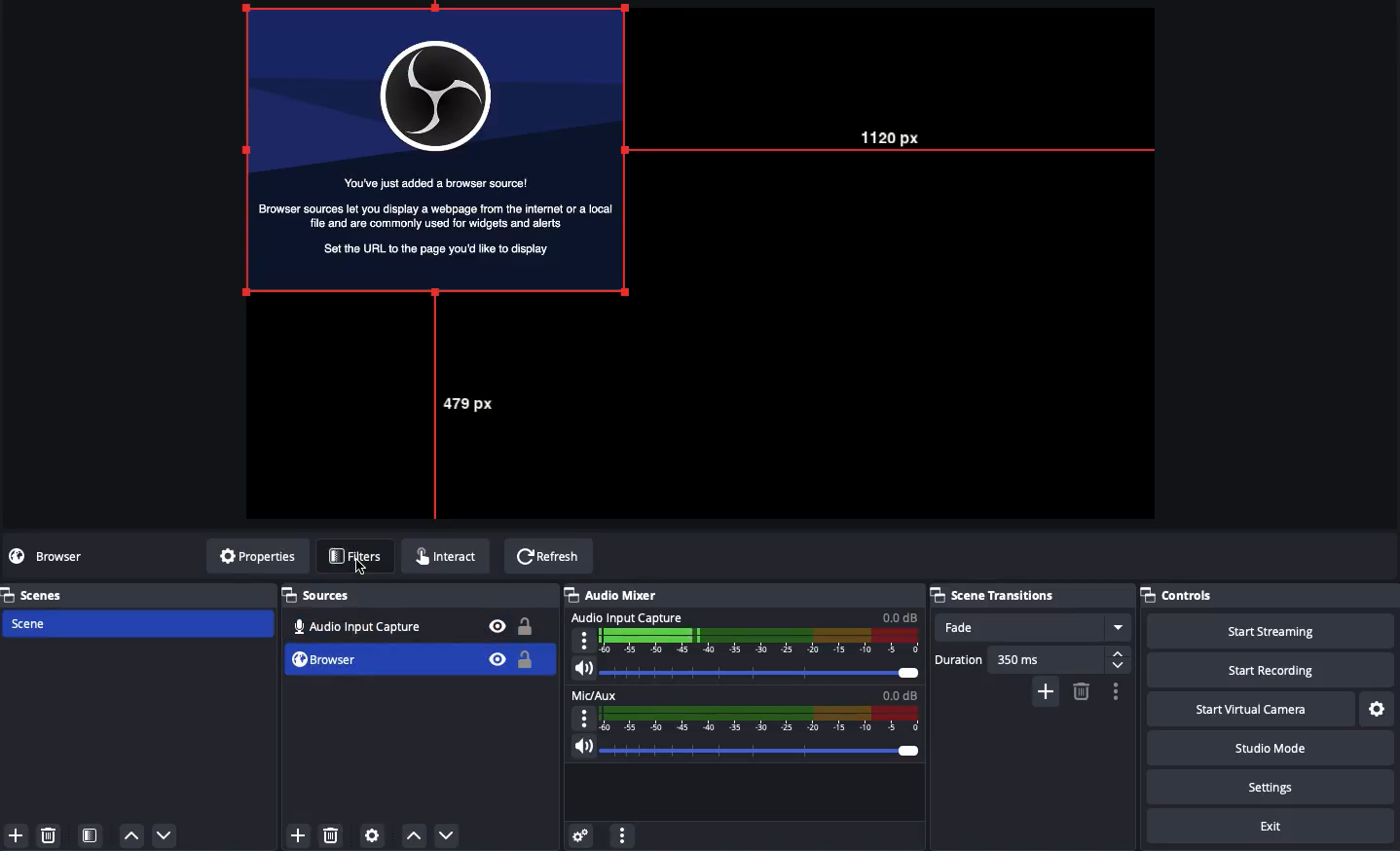 The height and width of the screenshot is (851, 1400). I want to click on Start virtual camera, so click(1248, 710).